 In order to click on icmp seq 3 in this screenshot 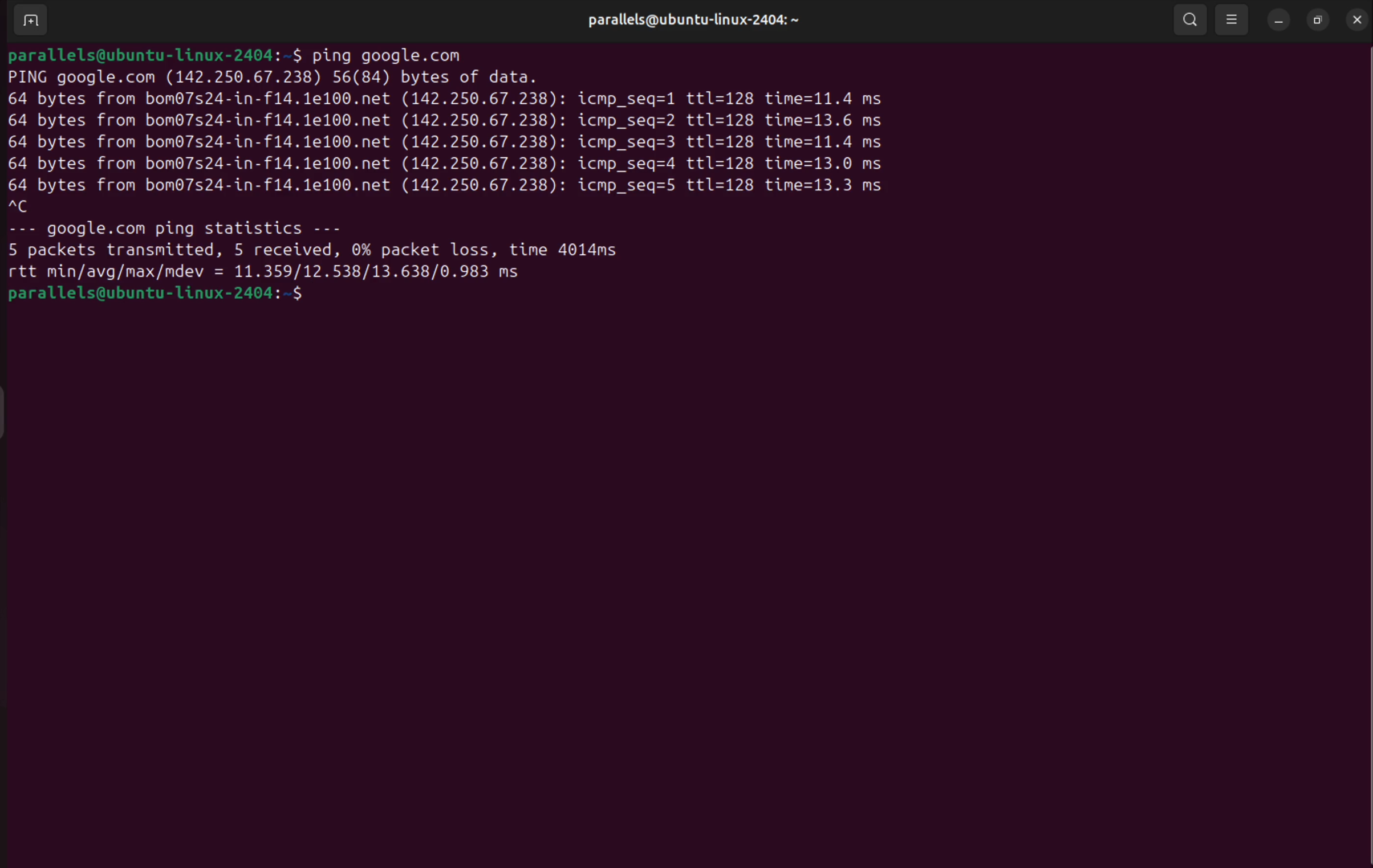, I will do `click(624, 143)`.